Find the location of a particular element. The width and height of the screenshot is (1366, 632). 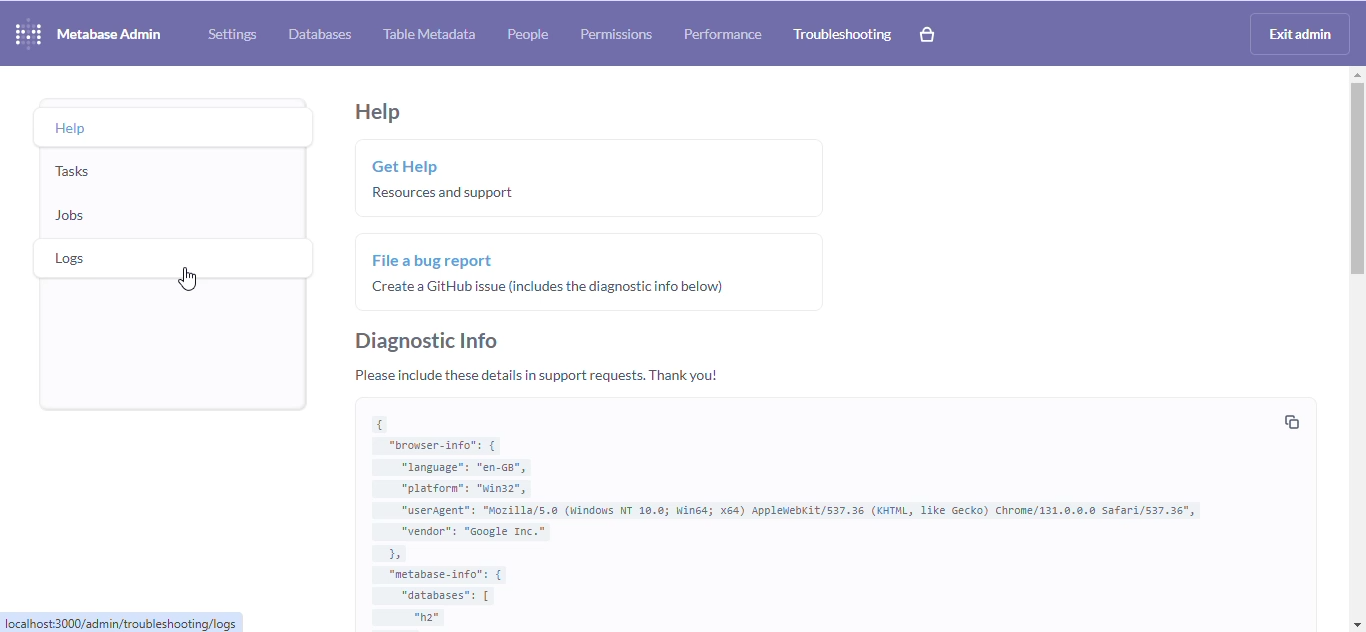

permissions is located at coordinates (617, 35).